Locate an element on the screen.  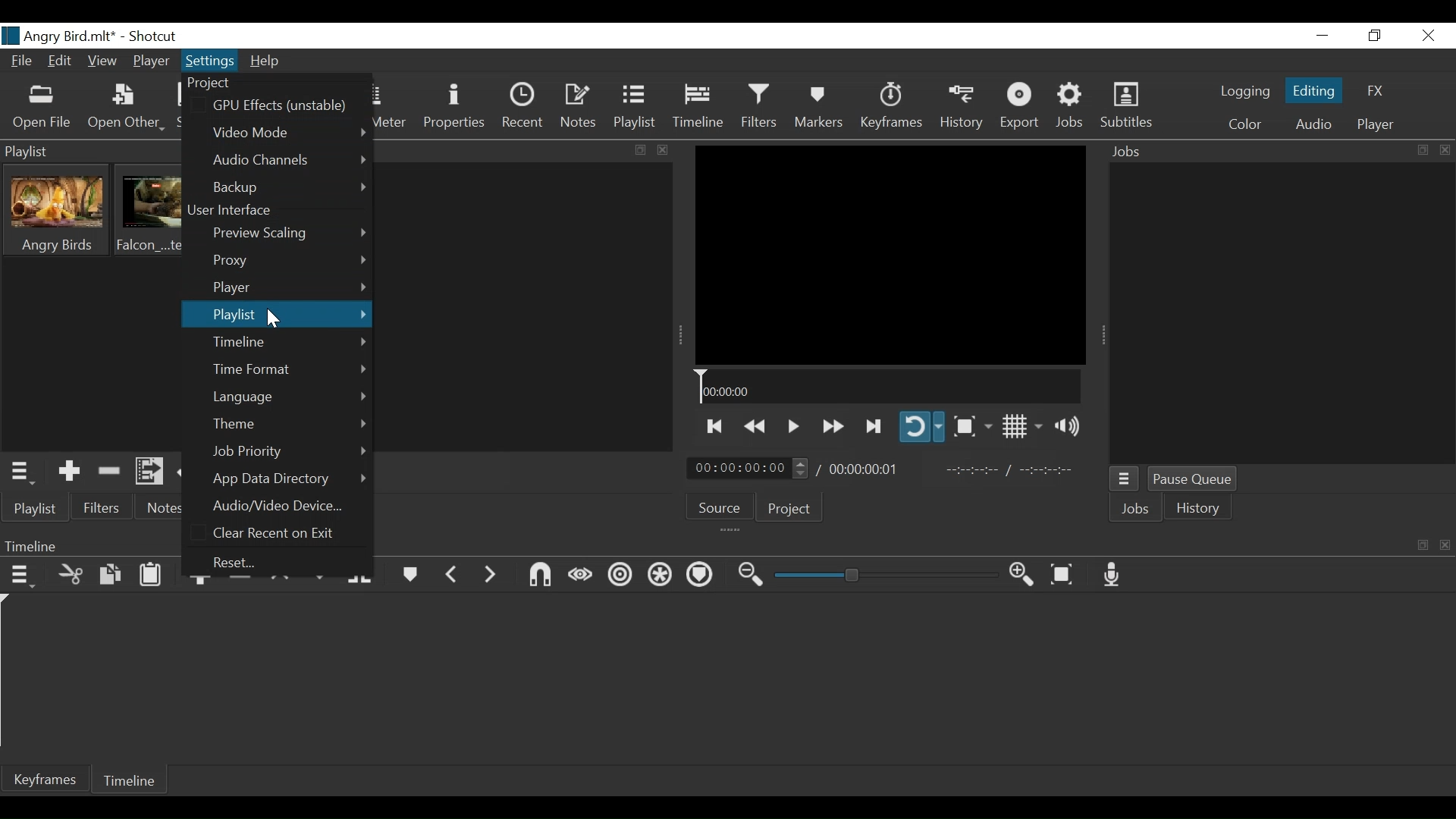
Timeline is located at coordinates (129, 778).